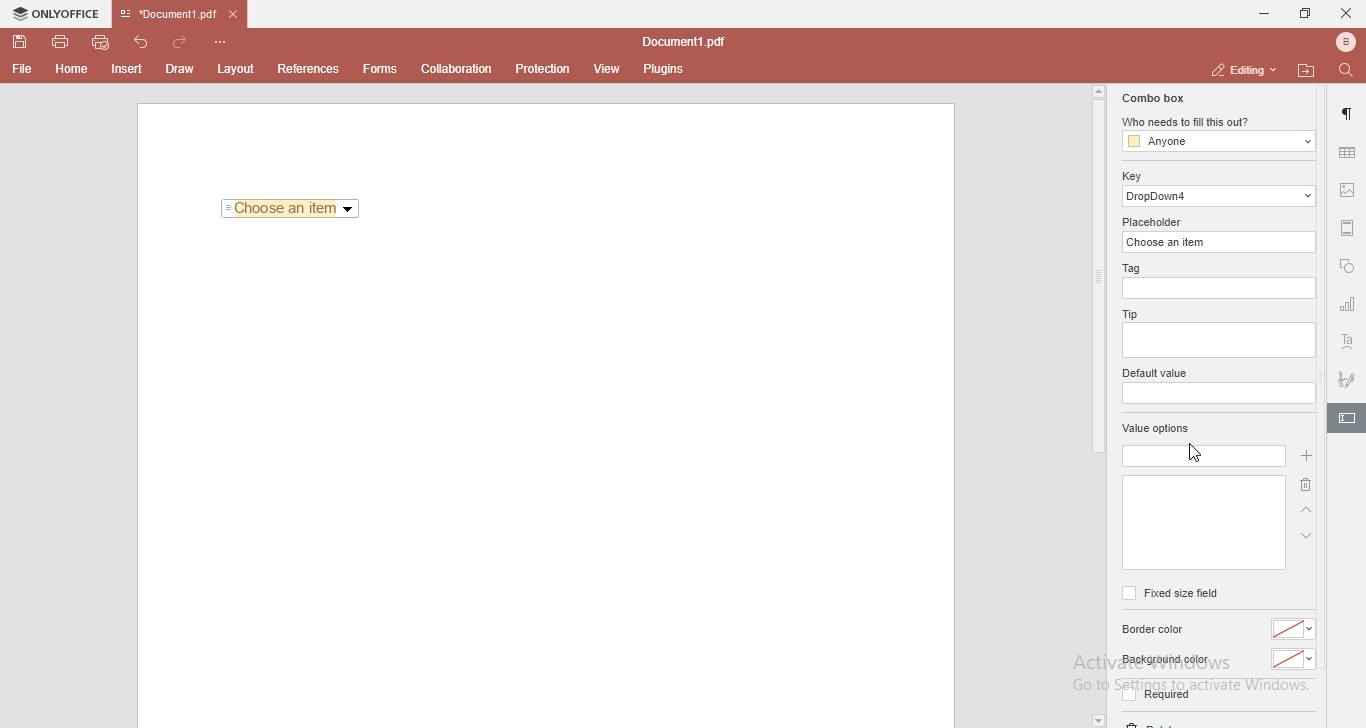  I want to click on empty box, so click(1221, 289).